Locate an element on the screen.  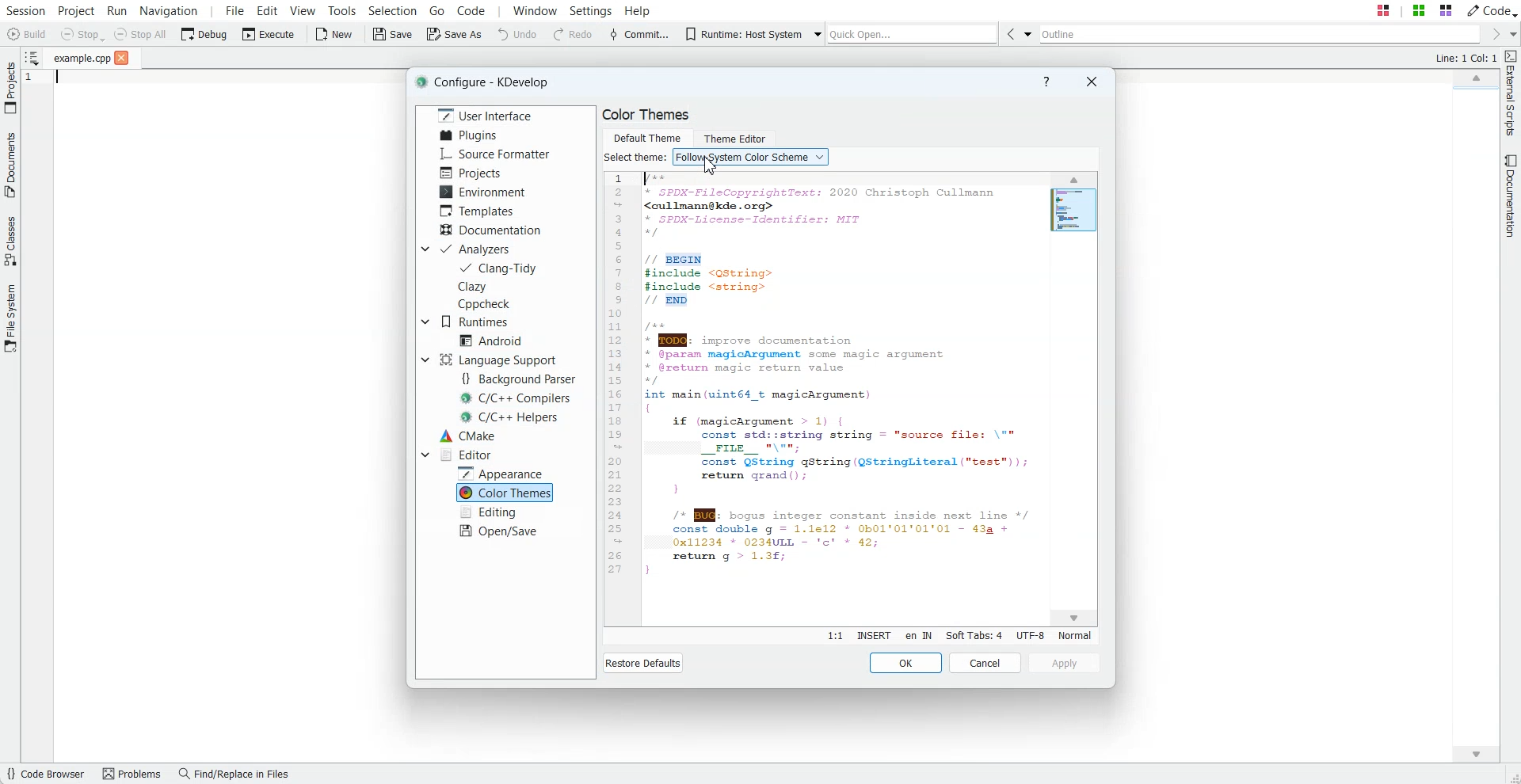
Tools is located at coordinates (341, 10).